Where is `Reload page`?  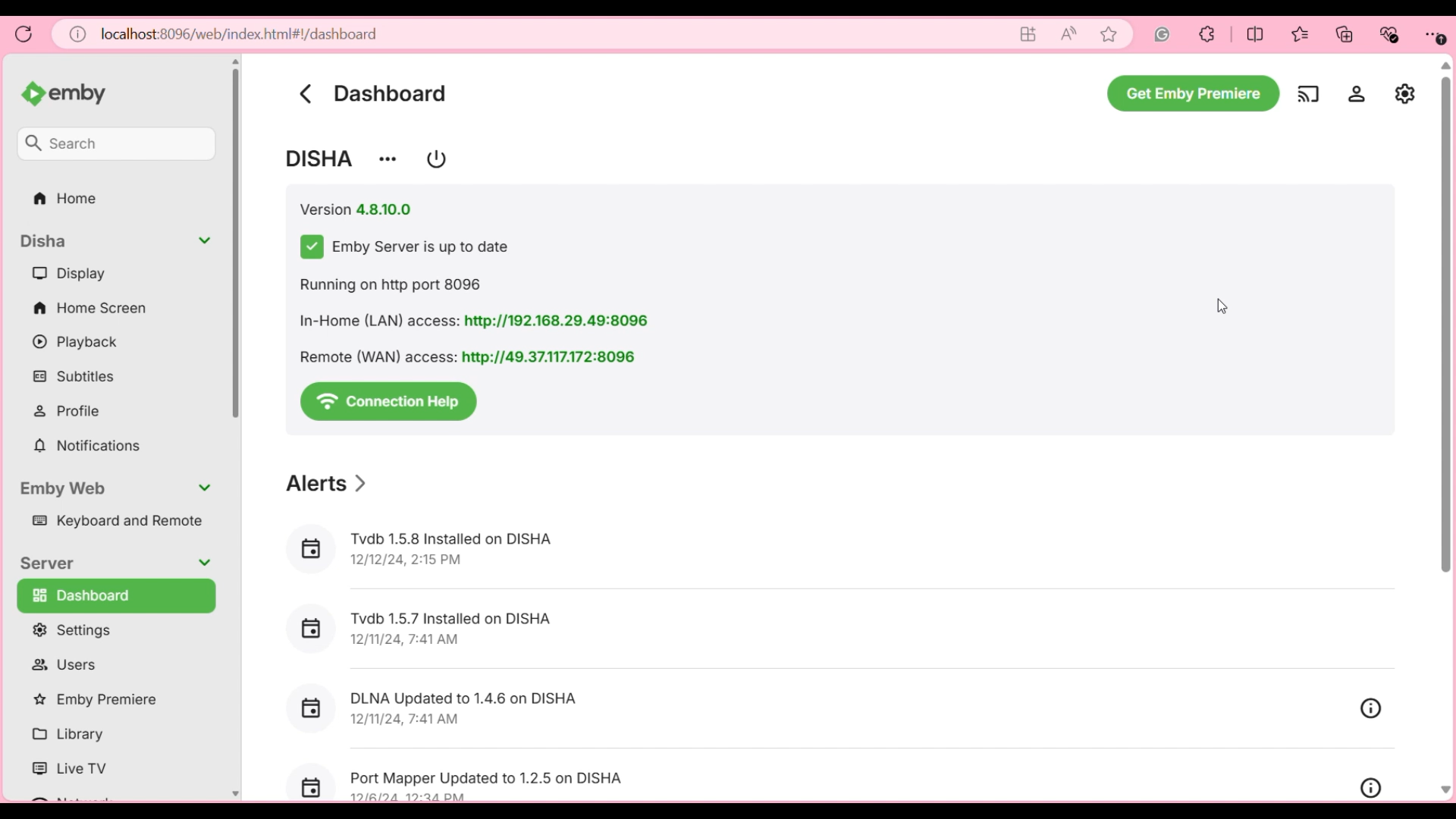 Reload page is located at coordinates (24, 34).